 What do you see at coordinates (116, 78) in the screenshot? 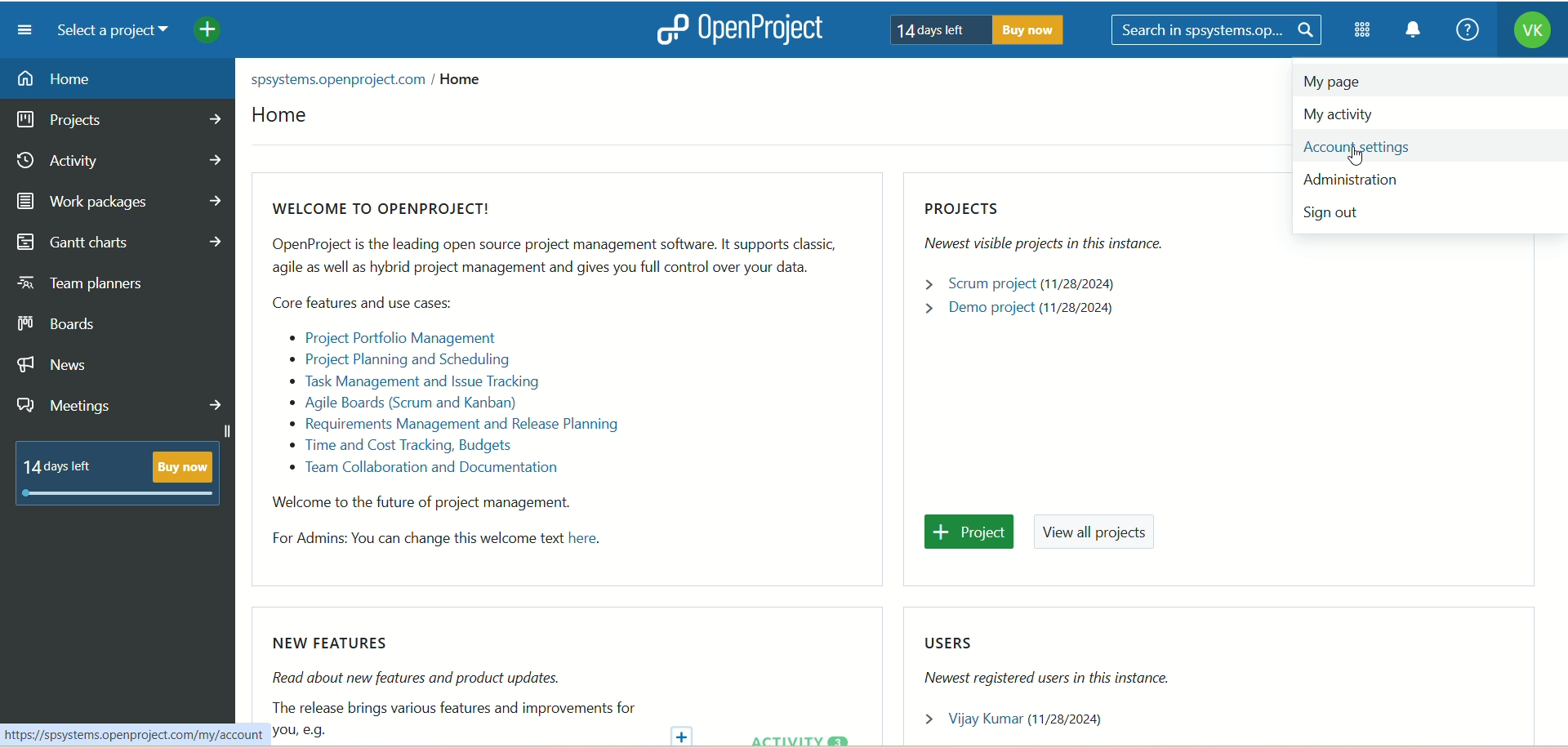
I see `home` at bounding box center [116, 78].